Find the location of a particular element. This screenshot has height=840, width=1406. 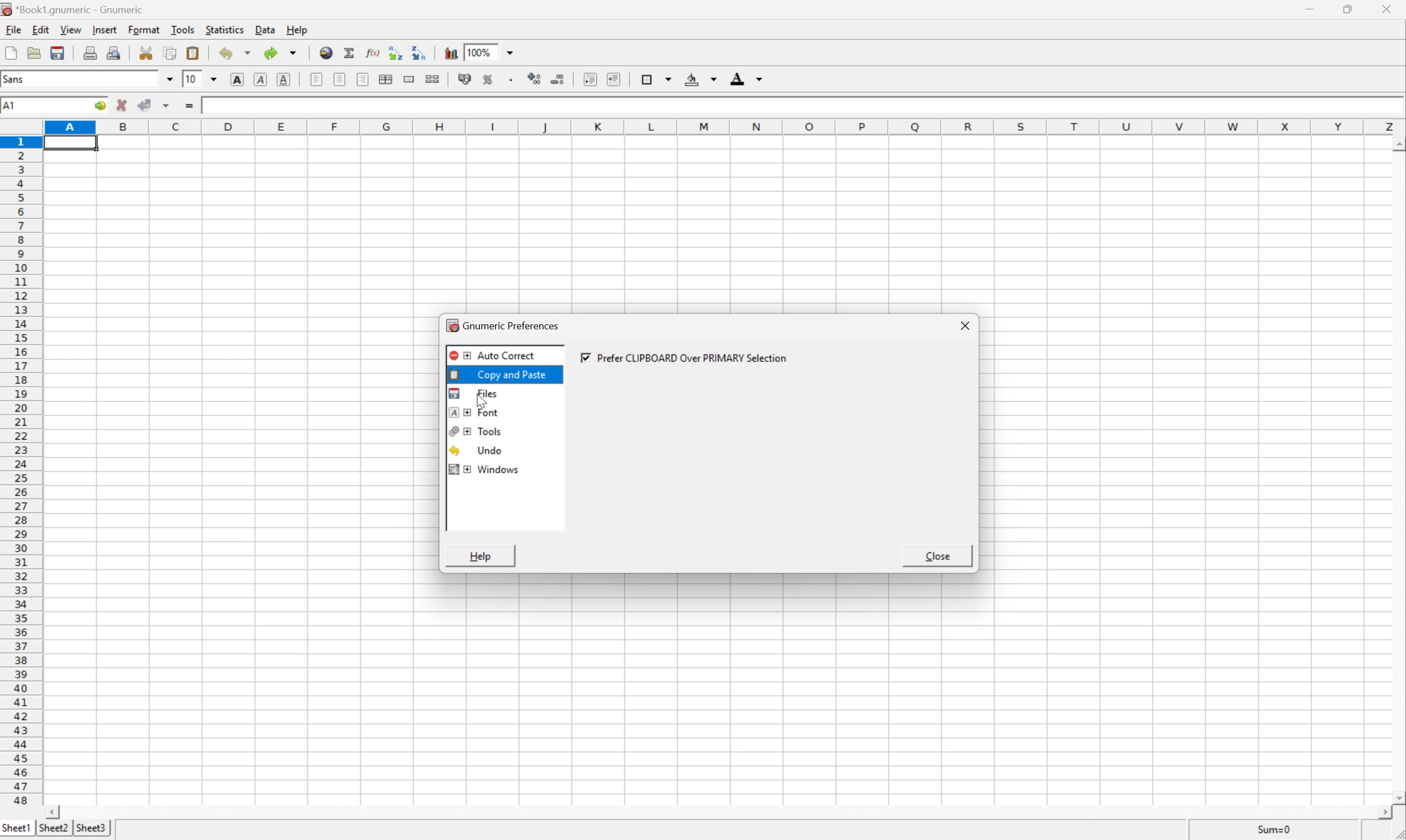

close is located at coordinates (968, 327).